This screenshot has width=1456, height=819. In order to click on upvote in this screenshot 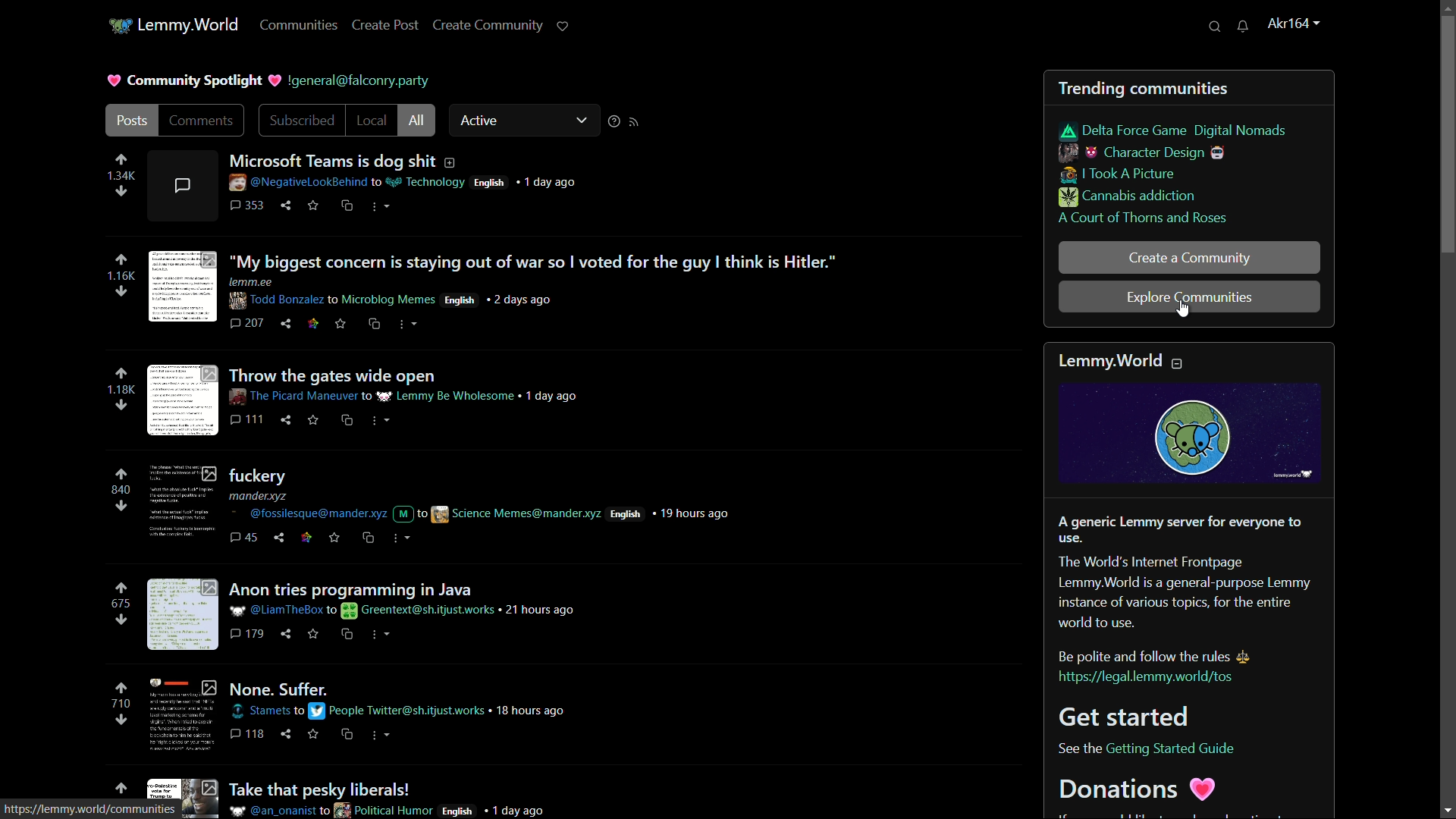, I will do `click(121, 475)`.